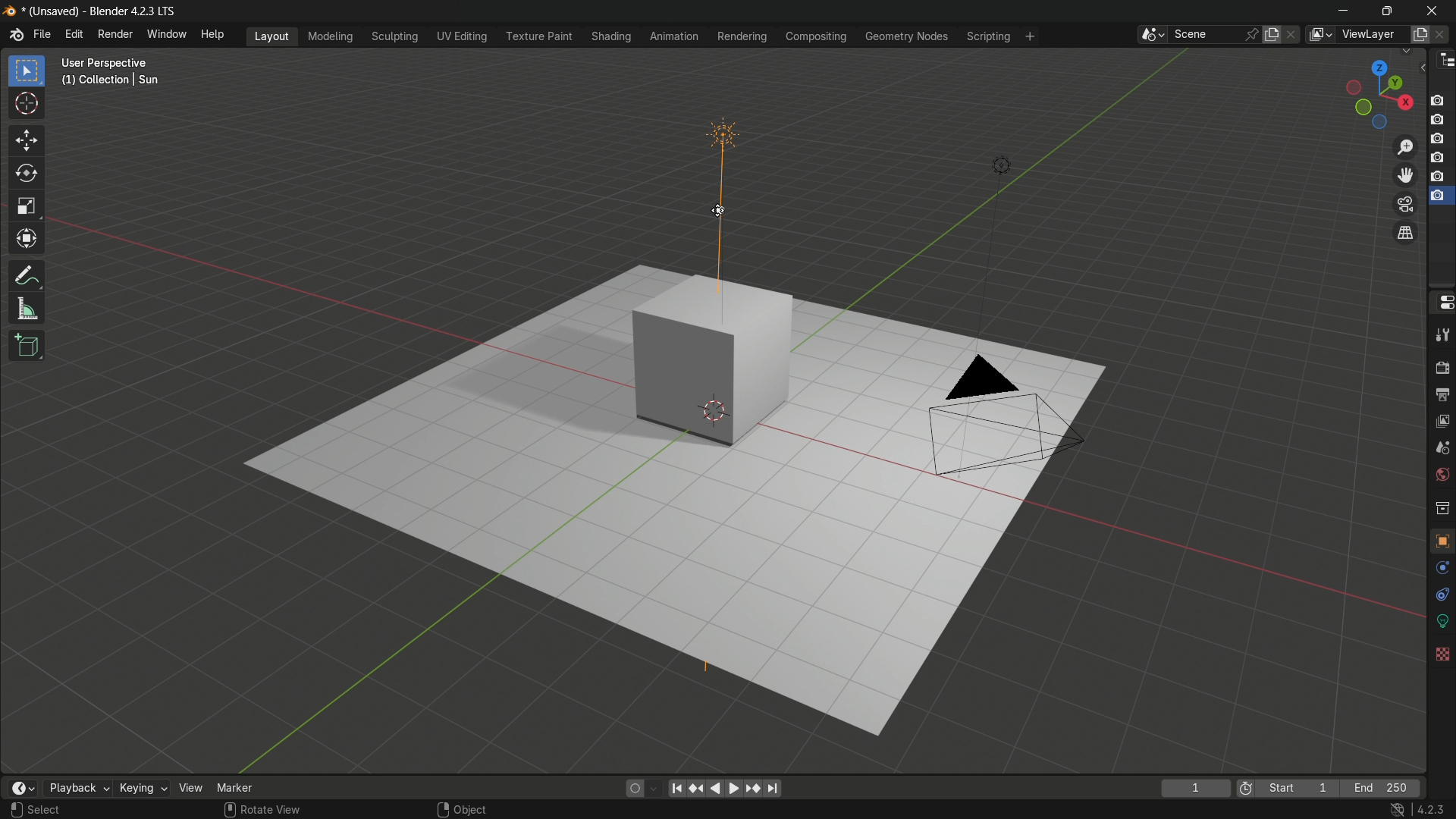 The image size is (1456, 819). Describe the element at coordinates (115, 34) in the screenshot. I see `render` at that location.